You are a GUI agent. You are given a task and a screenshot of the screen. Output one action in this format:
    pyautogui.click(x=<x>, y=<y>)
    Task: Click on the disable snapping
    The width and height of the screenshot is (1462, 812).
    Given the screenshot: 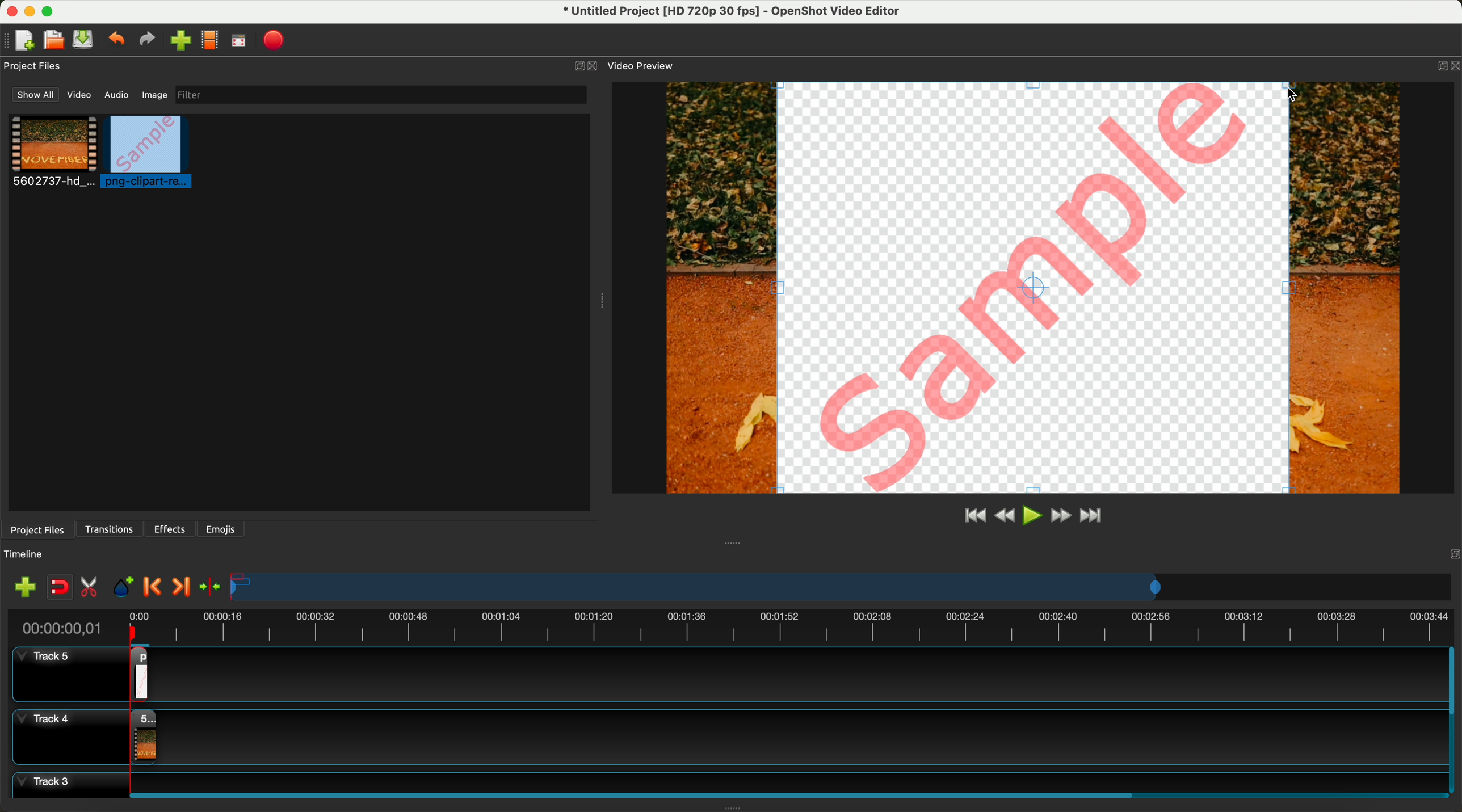 What is the action you would take?
    pyautogui.click(x=60, y=588)
    